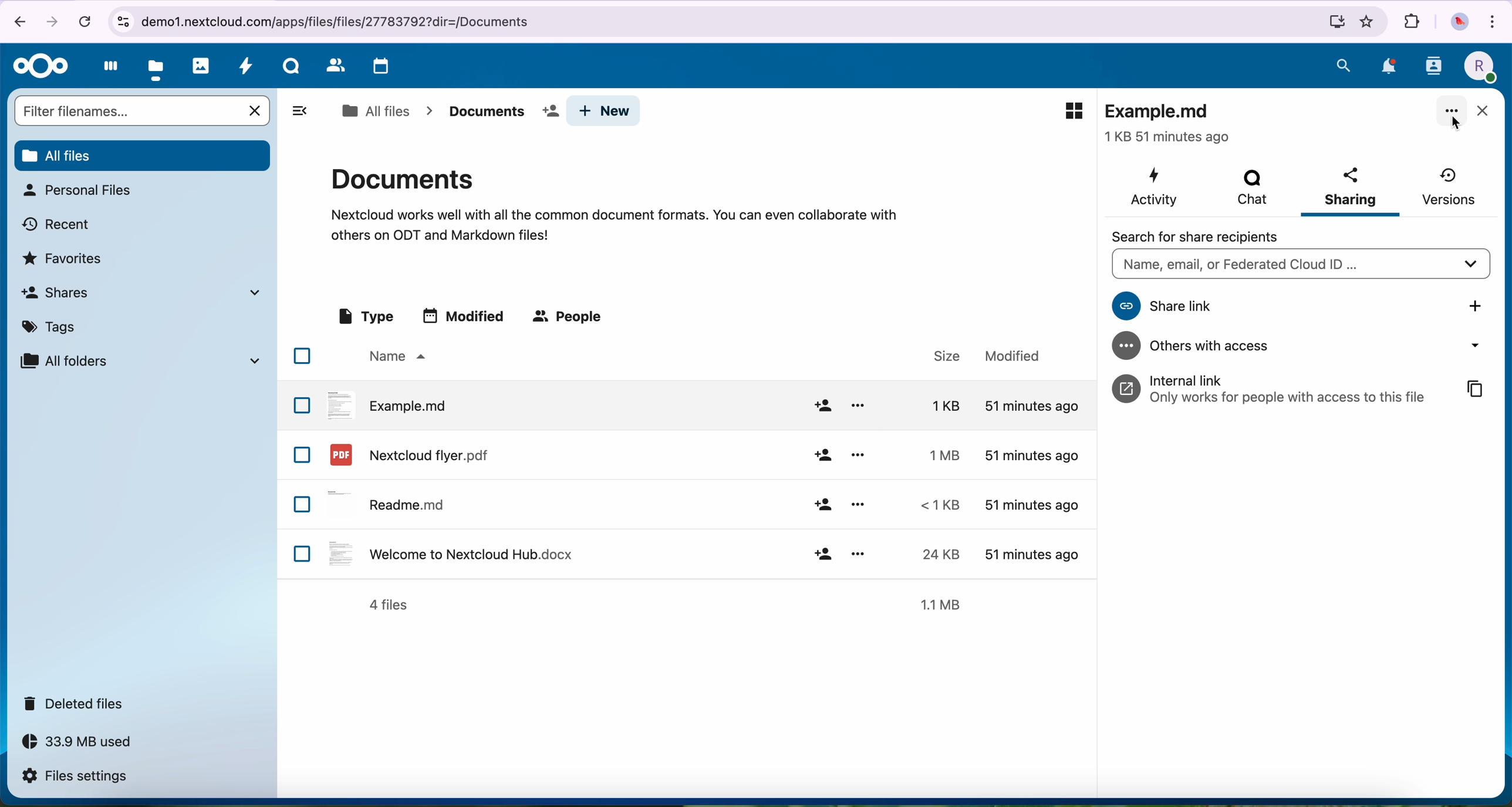 The width and height of the screenshot is (1512, 807). What do you see at coordinates (290, 69) in the screenshot?
I see `talk` at bounding box center [290, 69].